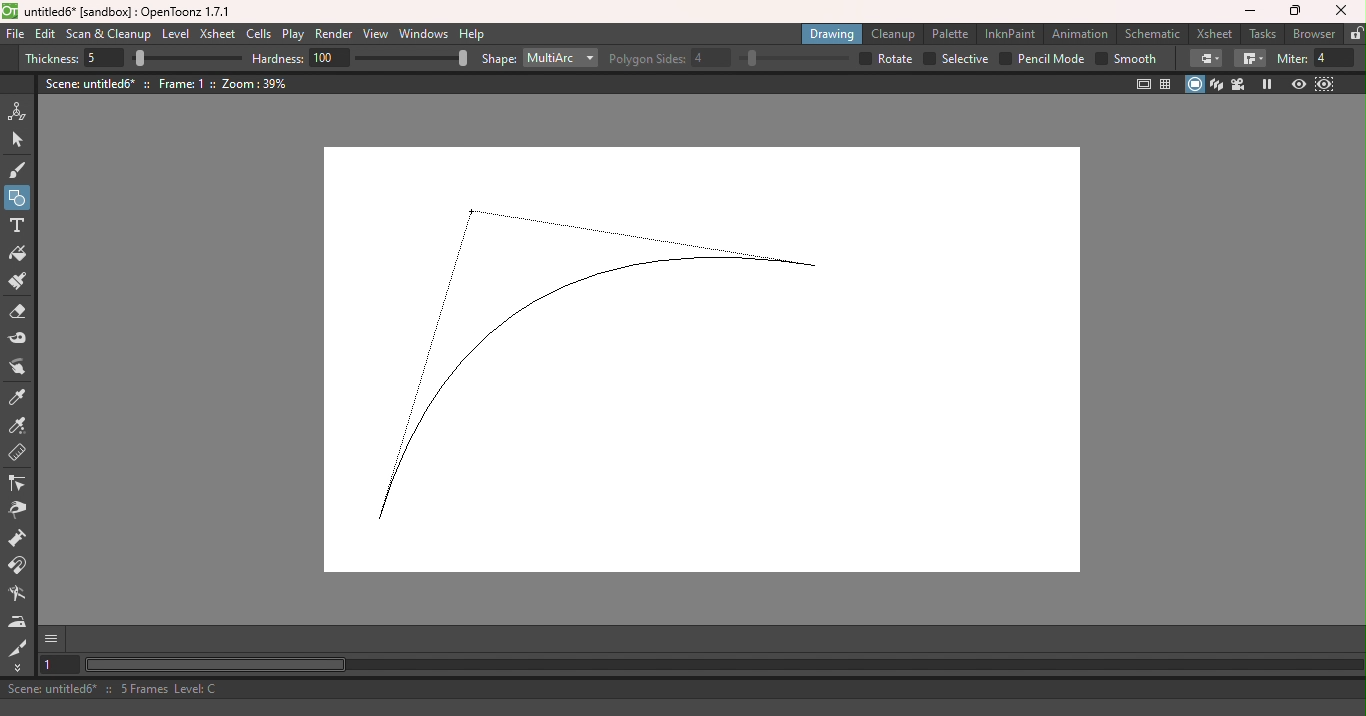 This screenshot has width=1366, height=716. What do you see at coordinates (1292, 13) in the screenshot?
I see `Maximize` at bounding box center [1292, 13].